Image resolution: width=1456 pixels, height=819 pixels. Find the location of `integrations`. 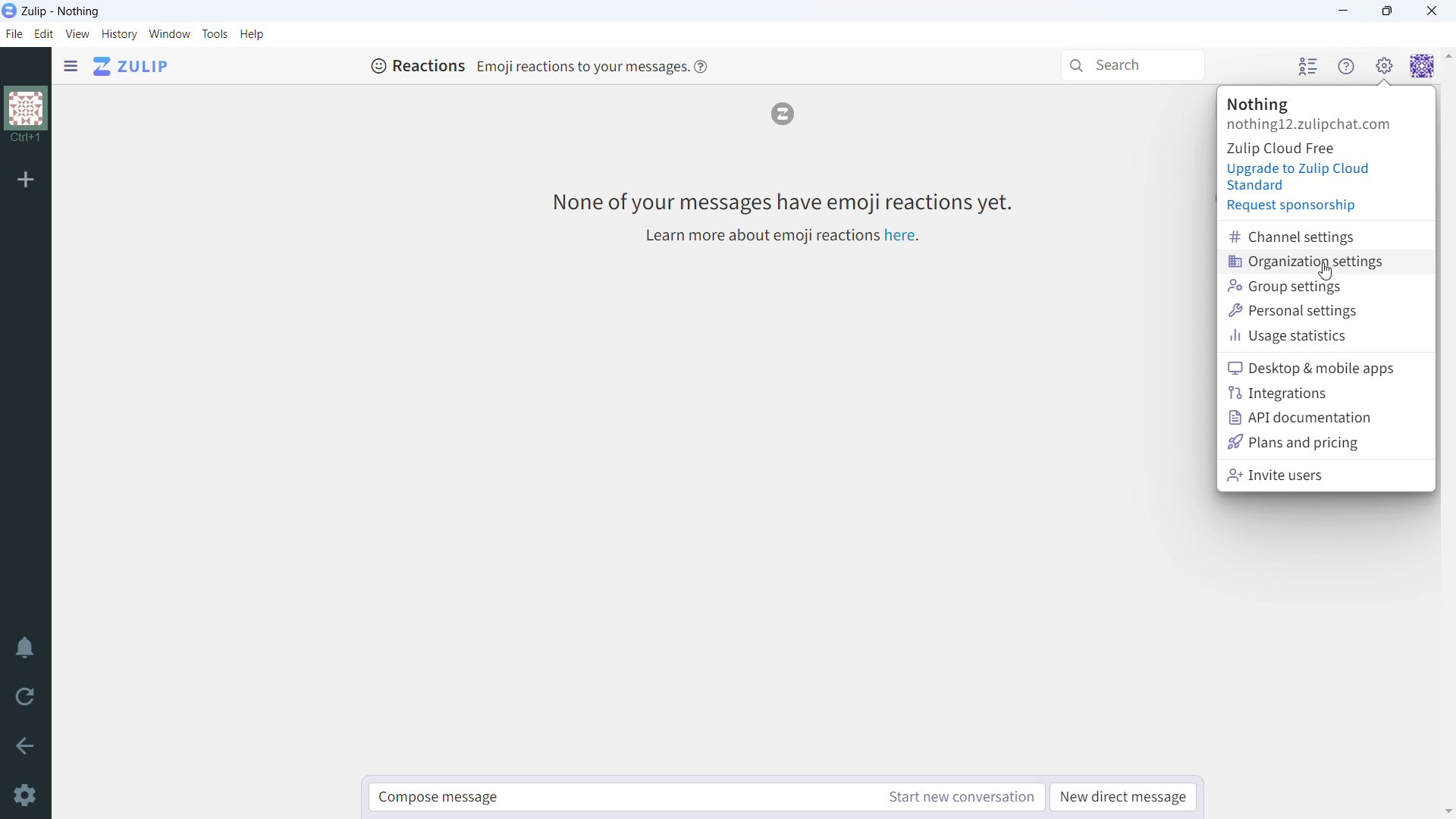

integrations is located at coordinates (1326, 394).